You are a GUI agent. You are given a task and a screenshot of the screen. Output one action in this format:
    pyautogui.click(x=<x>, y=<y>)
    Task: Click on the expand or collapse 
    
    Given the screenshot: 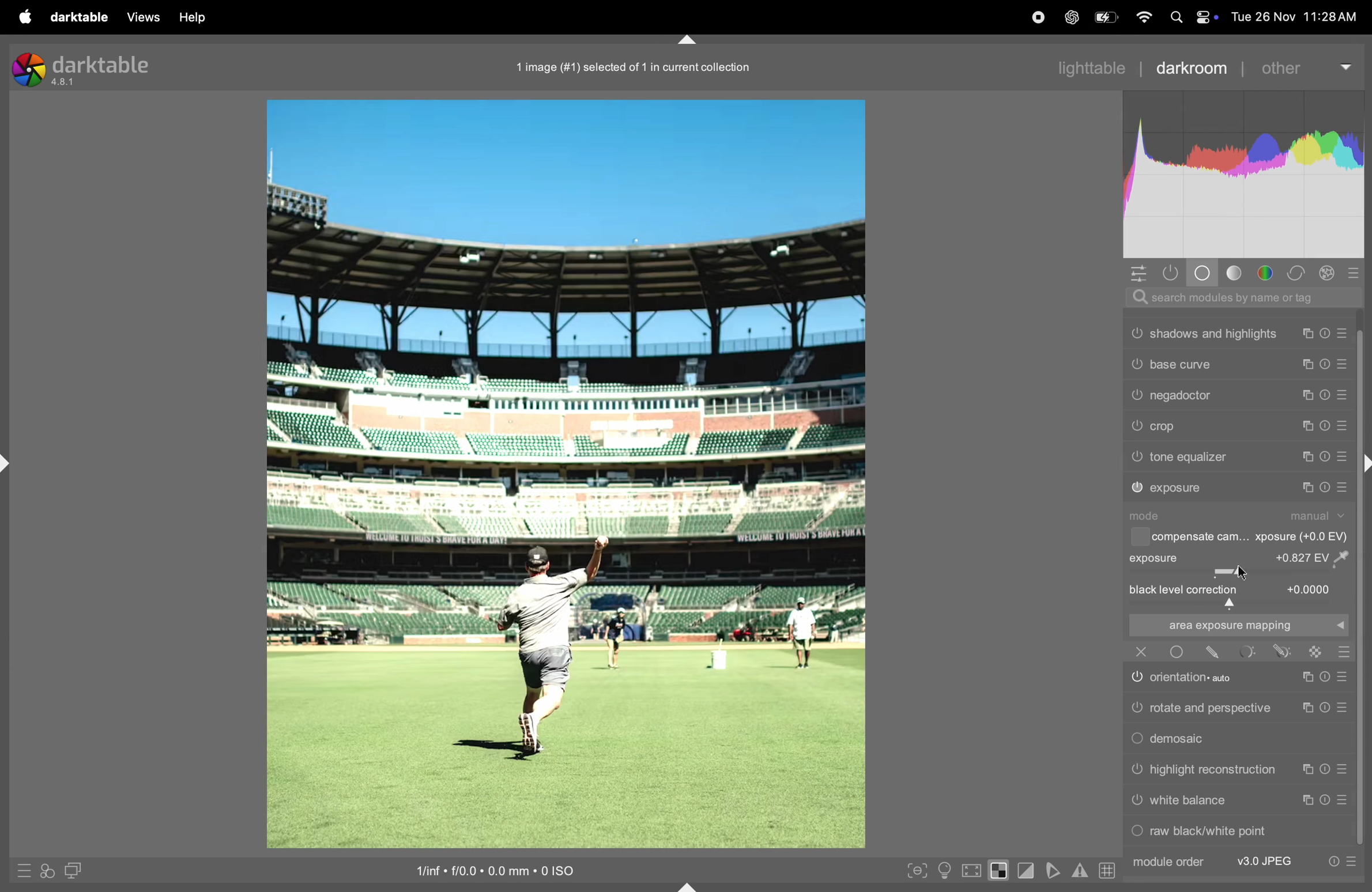 What is the action you would take?
    pyautogui.click(x=1363, y=465)
    